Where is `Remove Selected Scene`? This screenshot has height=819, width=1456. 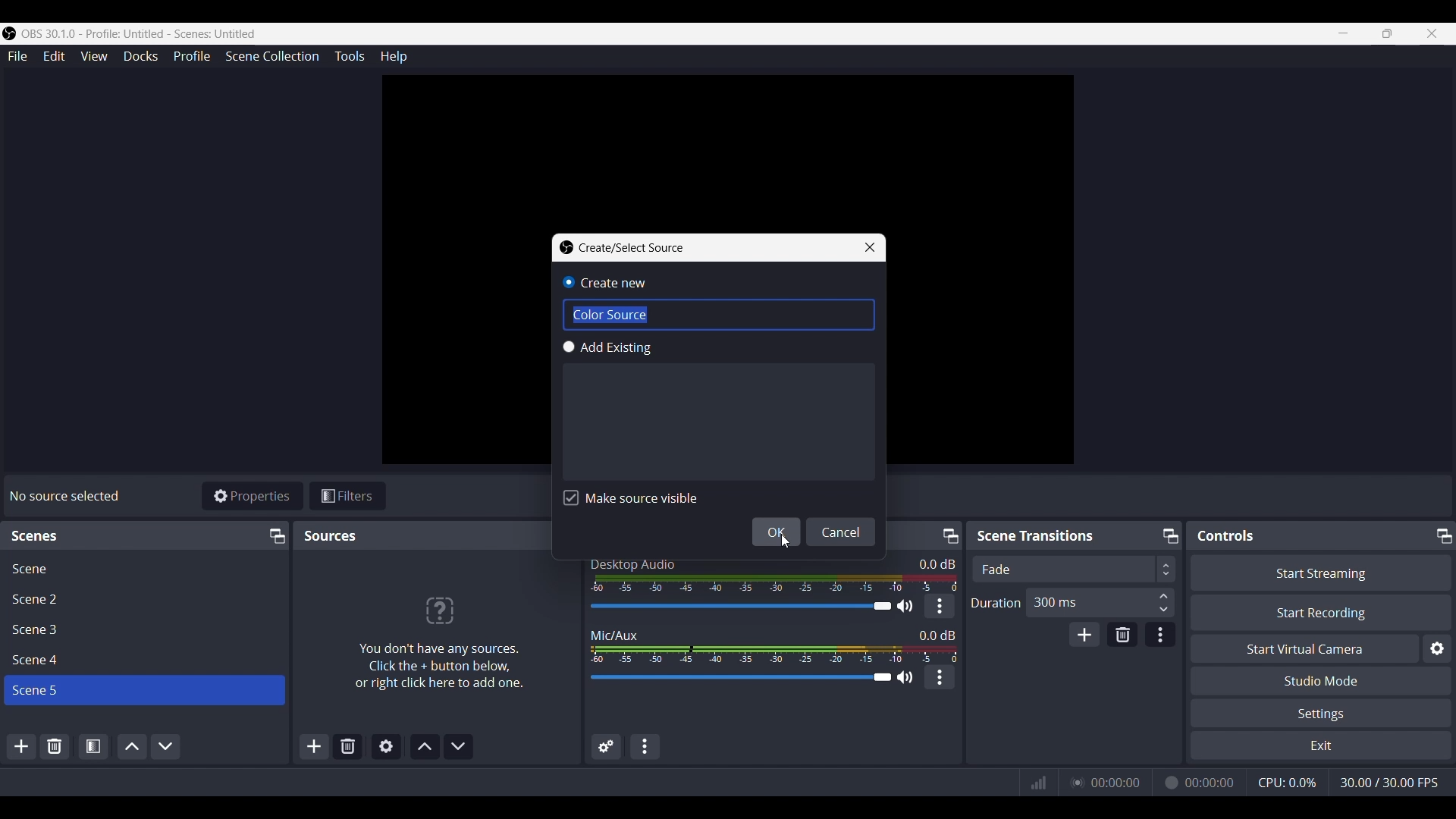 Remove Selected Scene is located at coordinates (55, 745).